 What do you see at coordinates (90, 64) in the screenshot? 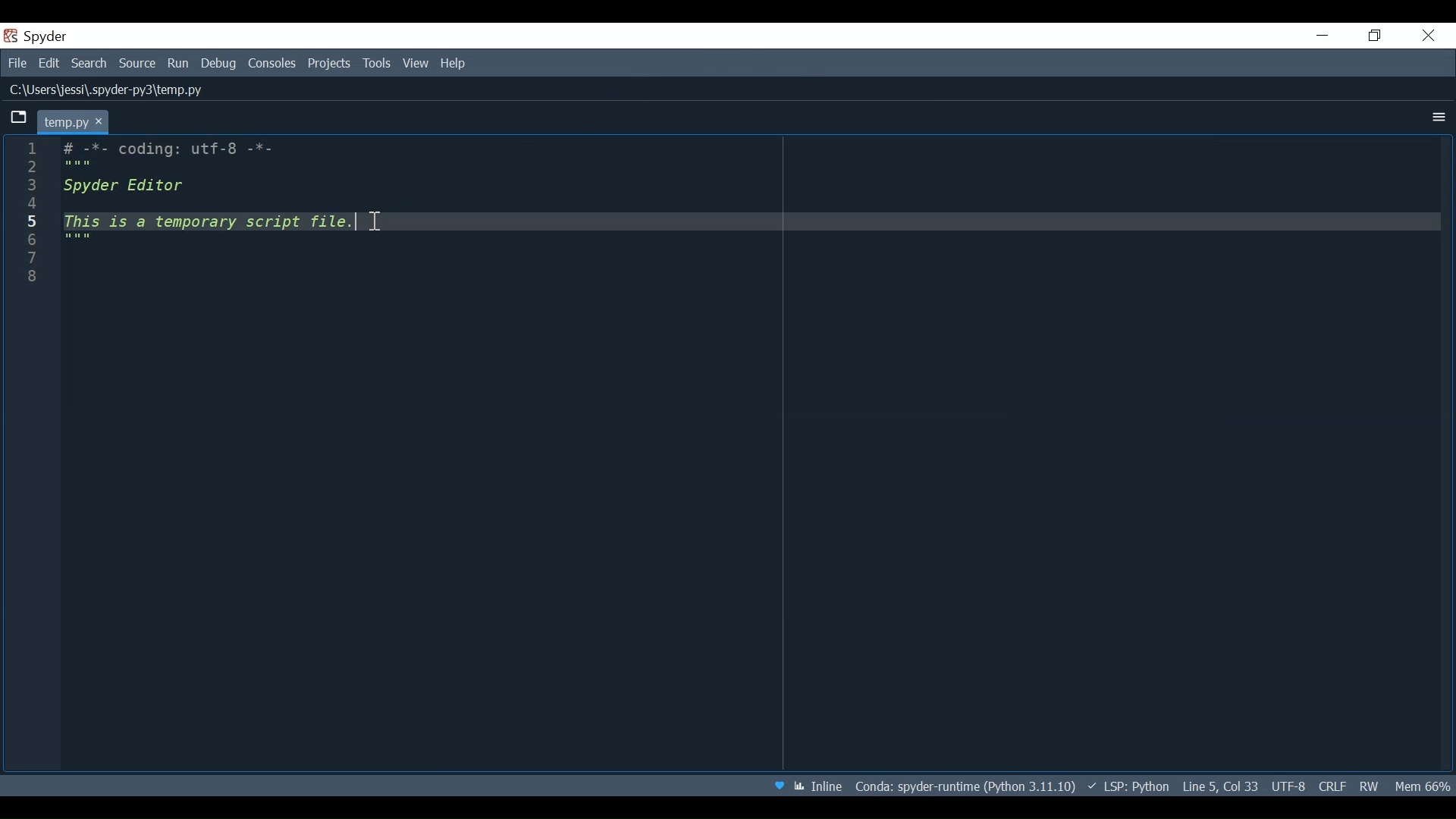
I see `Search` at bounding box center [90, 64].